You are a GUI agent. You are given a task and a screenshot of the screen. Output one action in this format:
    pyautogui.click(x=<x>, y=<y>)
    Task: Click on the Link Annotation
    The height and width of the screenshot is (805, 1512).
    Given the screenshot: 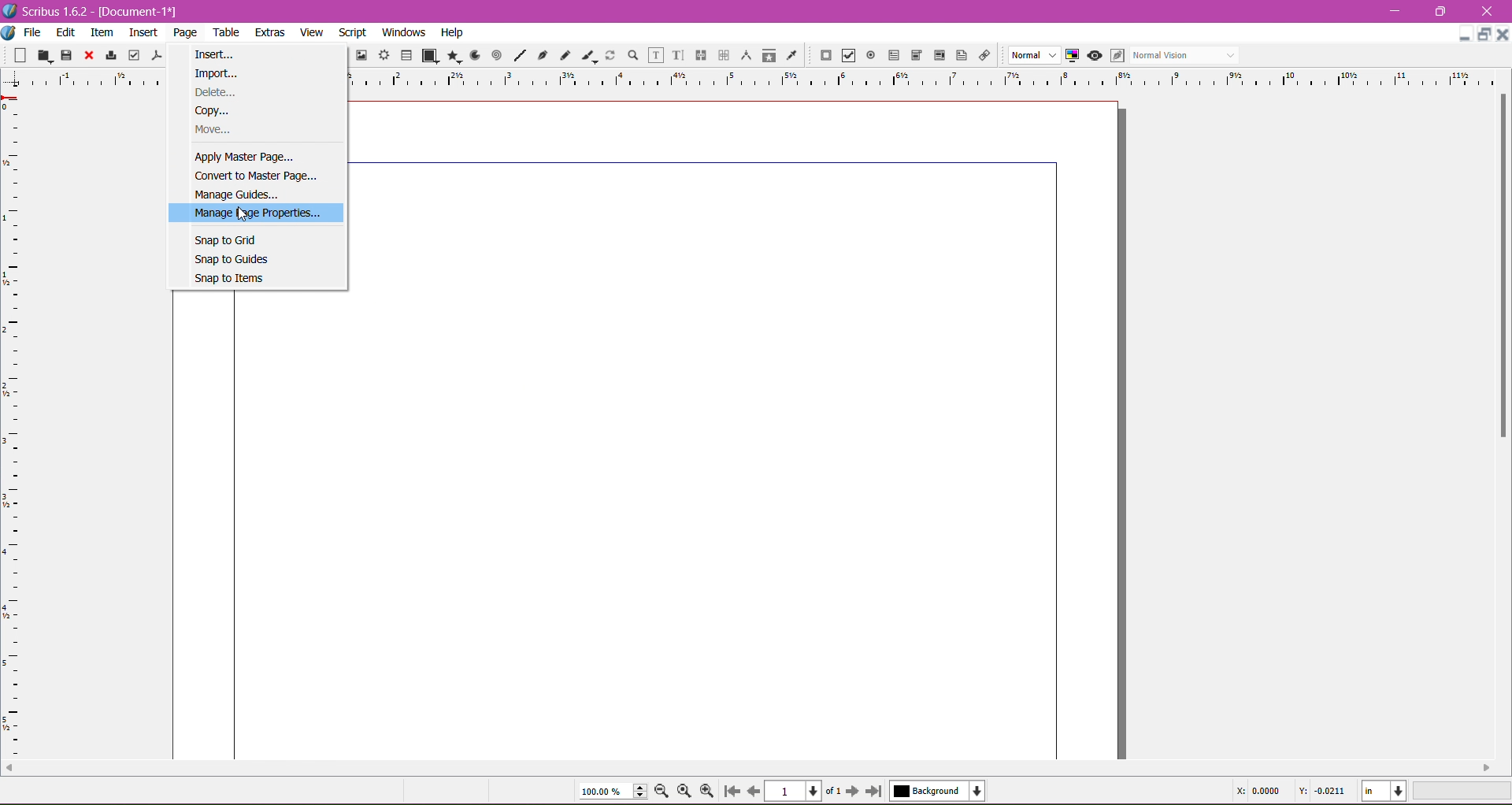 What is the action you would take?
    pyautogui.click(x=986, y=57)
    